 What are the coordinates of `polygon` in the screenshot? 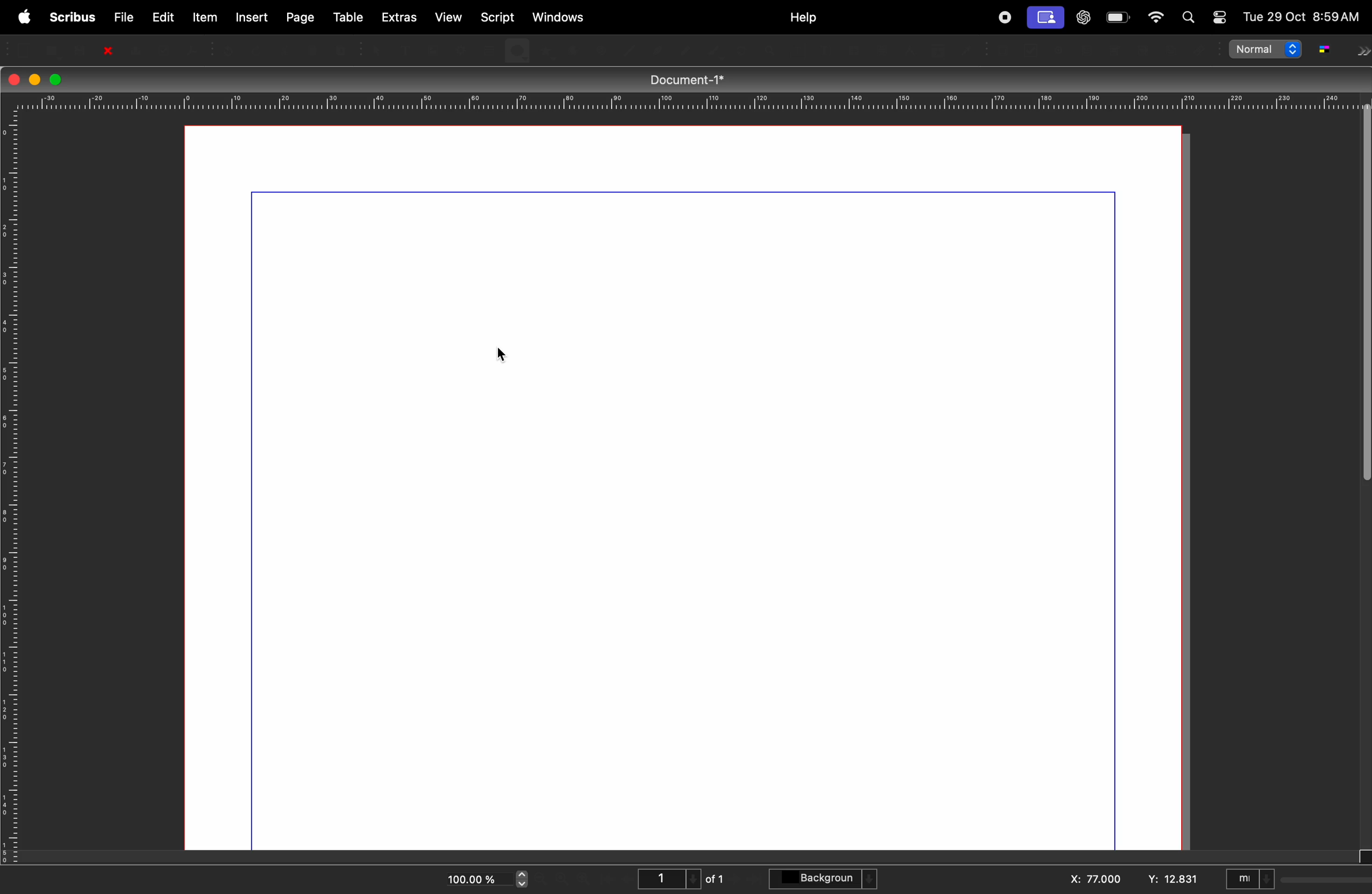 It's located at (546, 51).